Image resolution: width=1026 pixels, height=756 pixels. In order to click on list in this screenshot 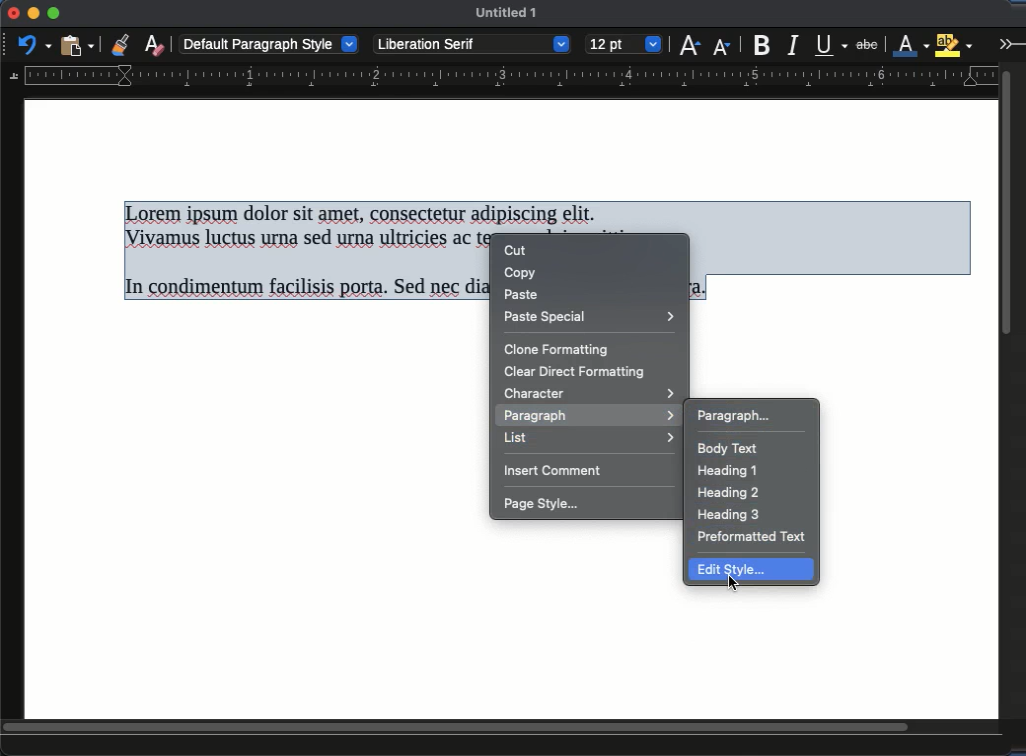, I will do `click(589, 440)`.